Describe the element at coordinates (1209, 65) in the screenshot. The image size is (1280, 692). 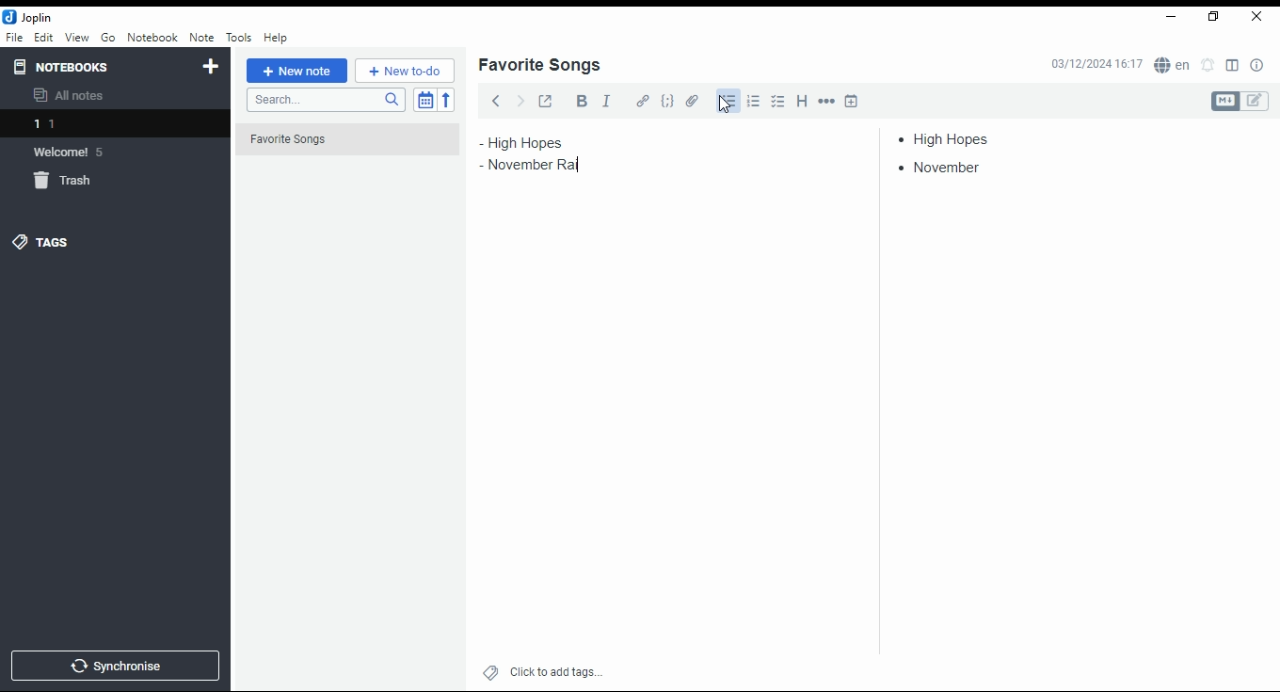
I see `set alarm` at that location.